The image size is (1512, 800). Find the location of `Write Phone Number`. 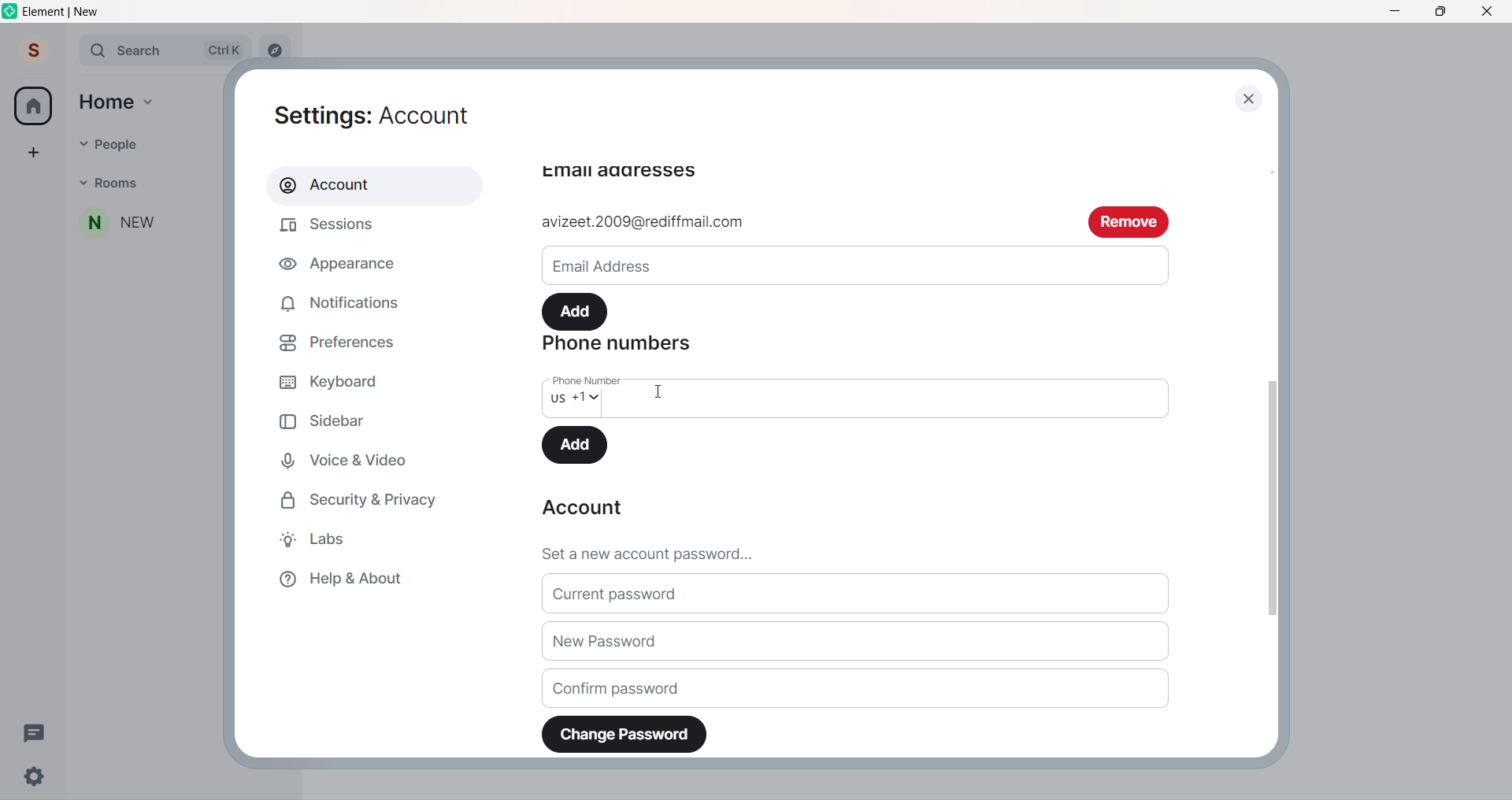

Write Phone Number is located at coordinates (895, 398).